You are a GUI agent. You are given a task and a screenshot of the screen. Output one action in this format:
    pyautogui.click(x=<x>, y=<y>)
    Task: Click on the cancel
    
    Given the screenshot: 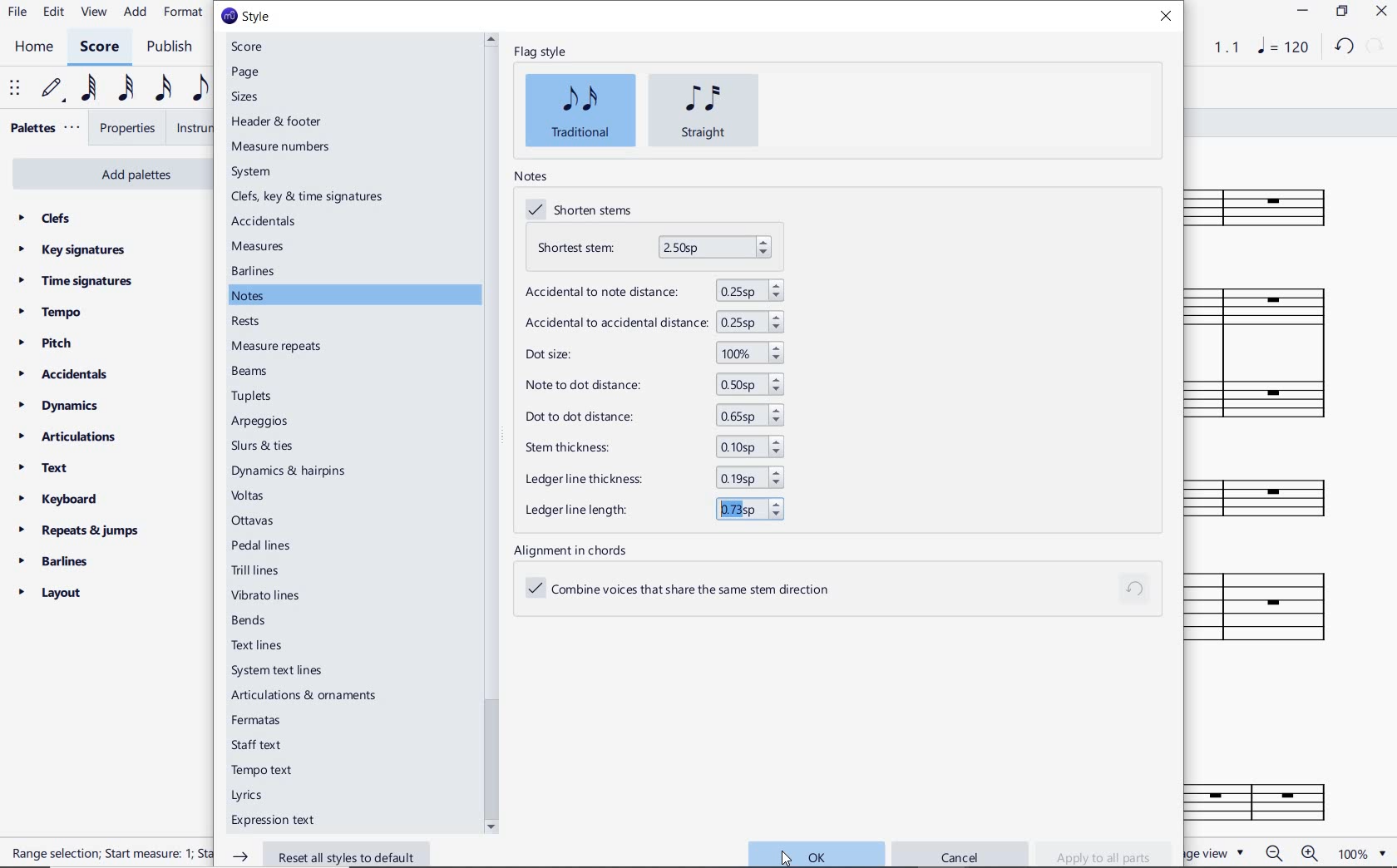 What is the action you would take?
    pyautogui.click(x=960, y=856)
    